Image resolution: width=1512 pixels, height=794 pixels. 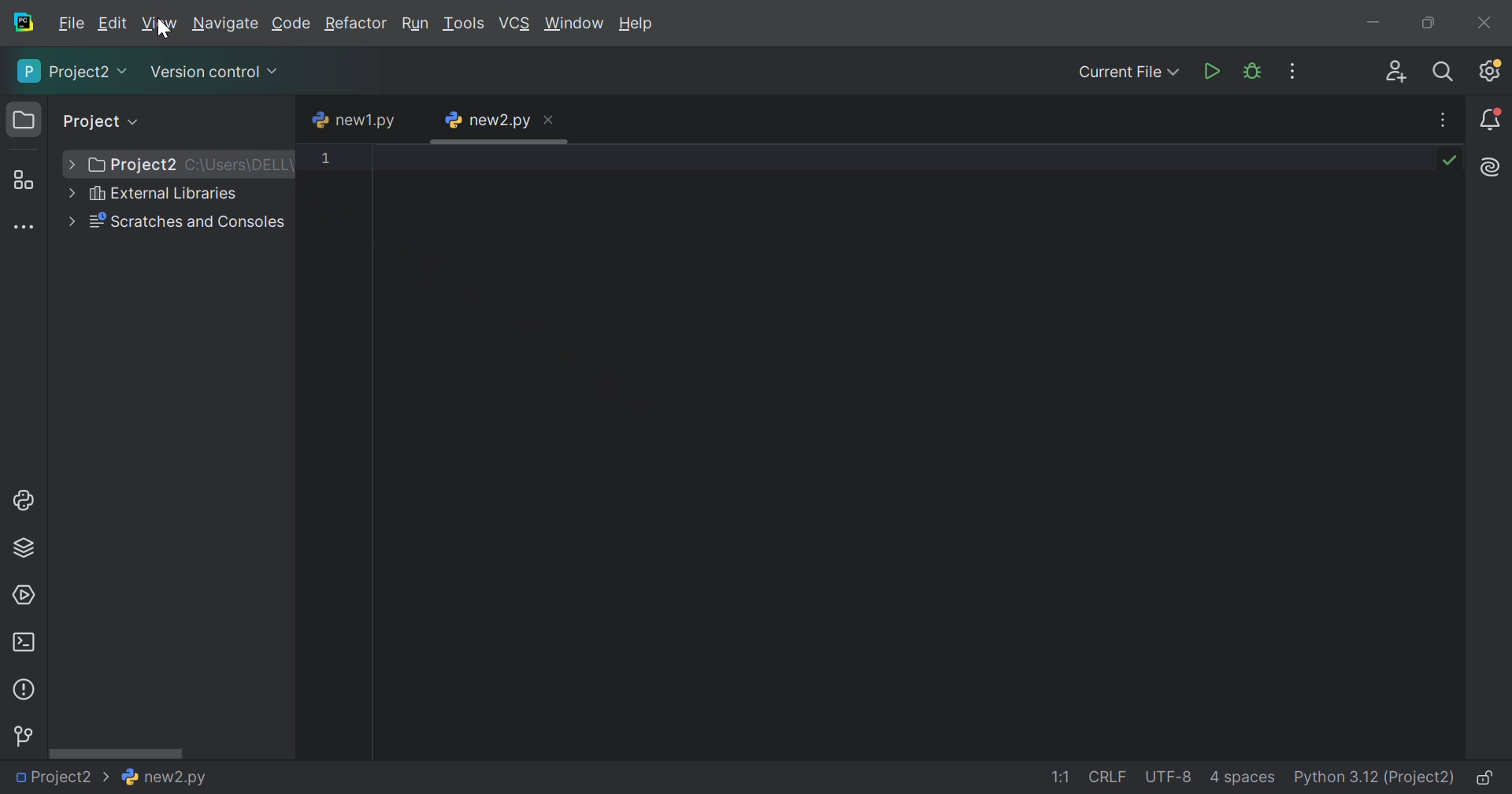 What do you see at coordinates (574, 24) in the screenshot?
I see `Windows` at bounding box center [574, 24].